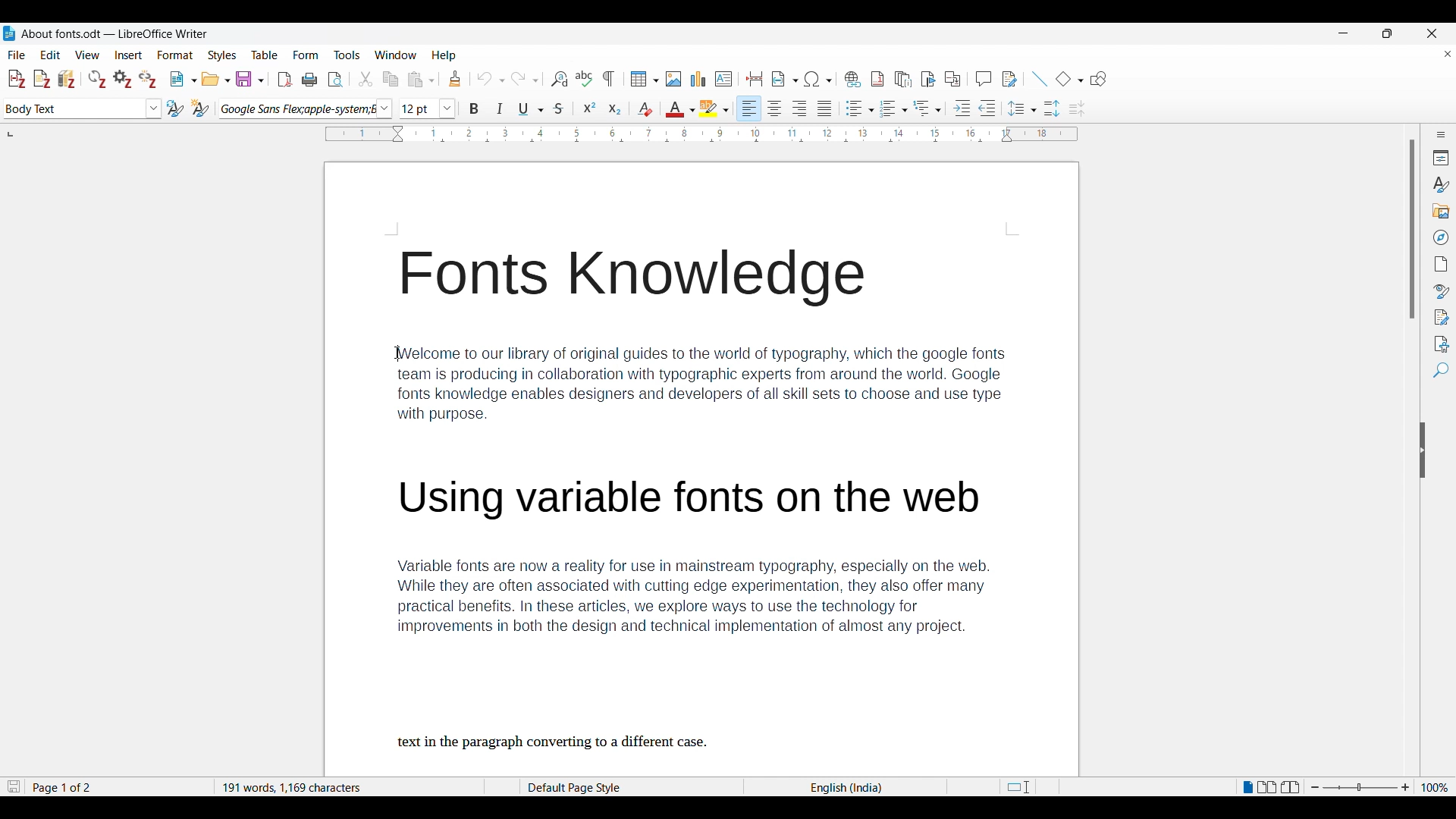  I want to click on Refresh, so click(97, 79).